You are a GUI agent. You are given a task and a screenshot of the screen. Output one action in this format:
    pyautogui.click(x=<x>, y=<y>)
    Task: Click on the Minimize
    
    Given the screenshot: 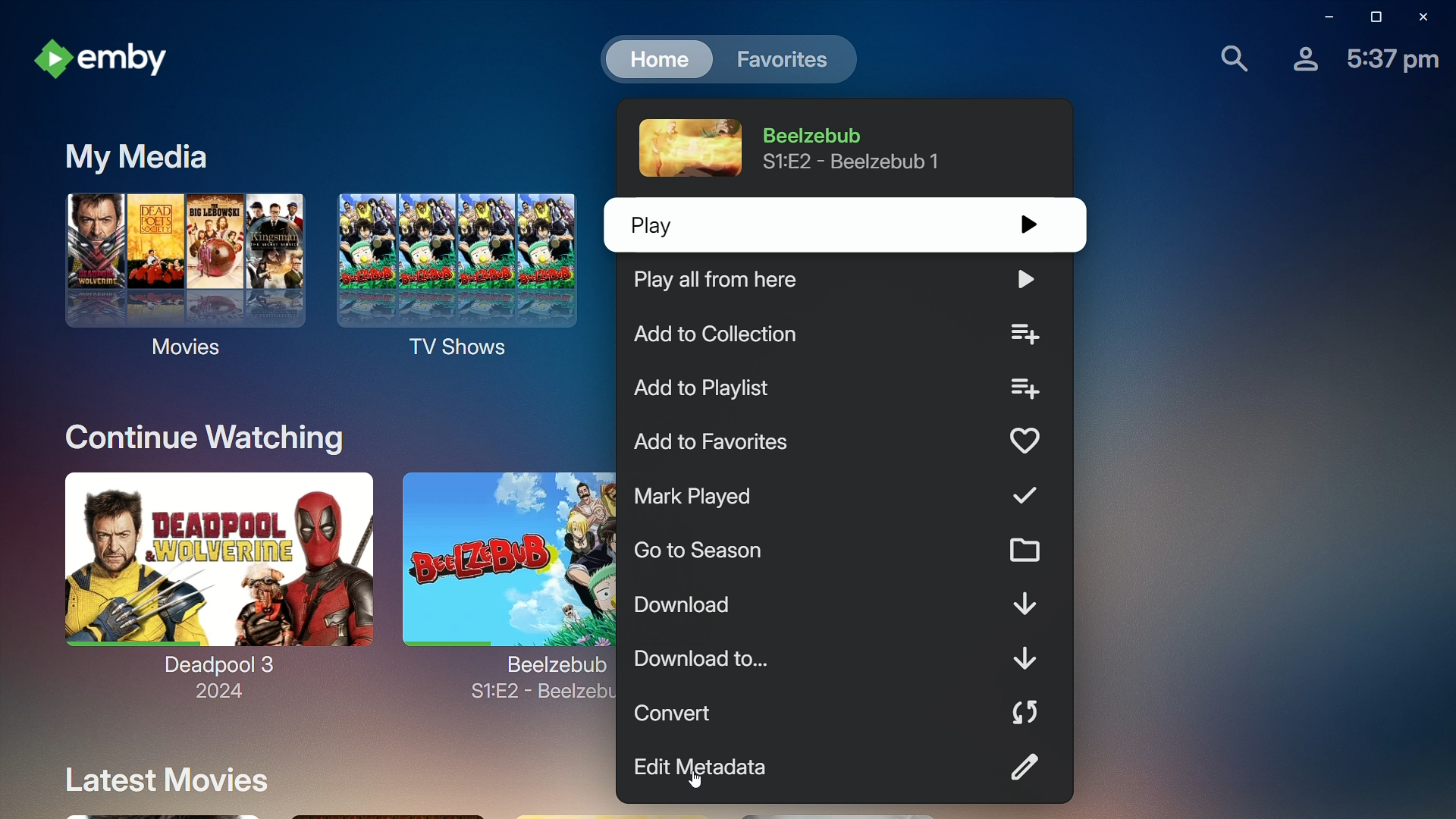 What is the action you would take?
    pyautogui.click(x=1318, y=17)
    